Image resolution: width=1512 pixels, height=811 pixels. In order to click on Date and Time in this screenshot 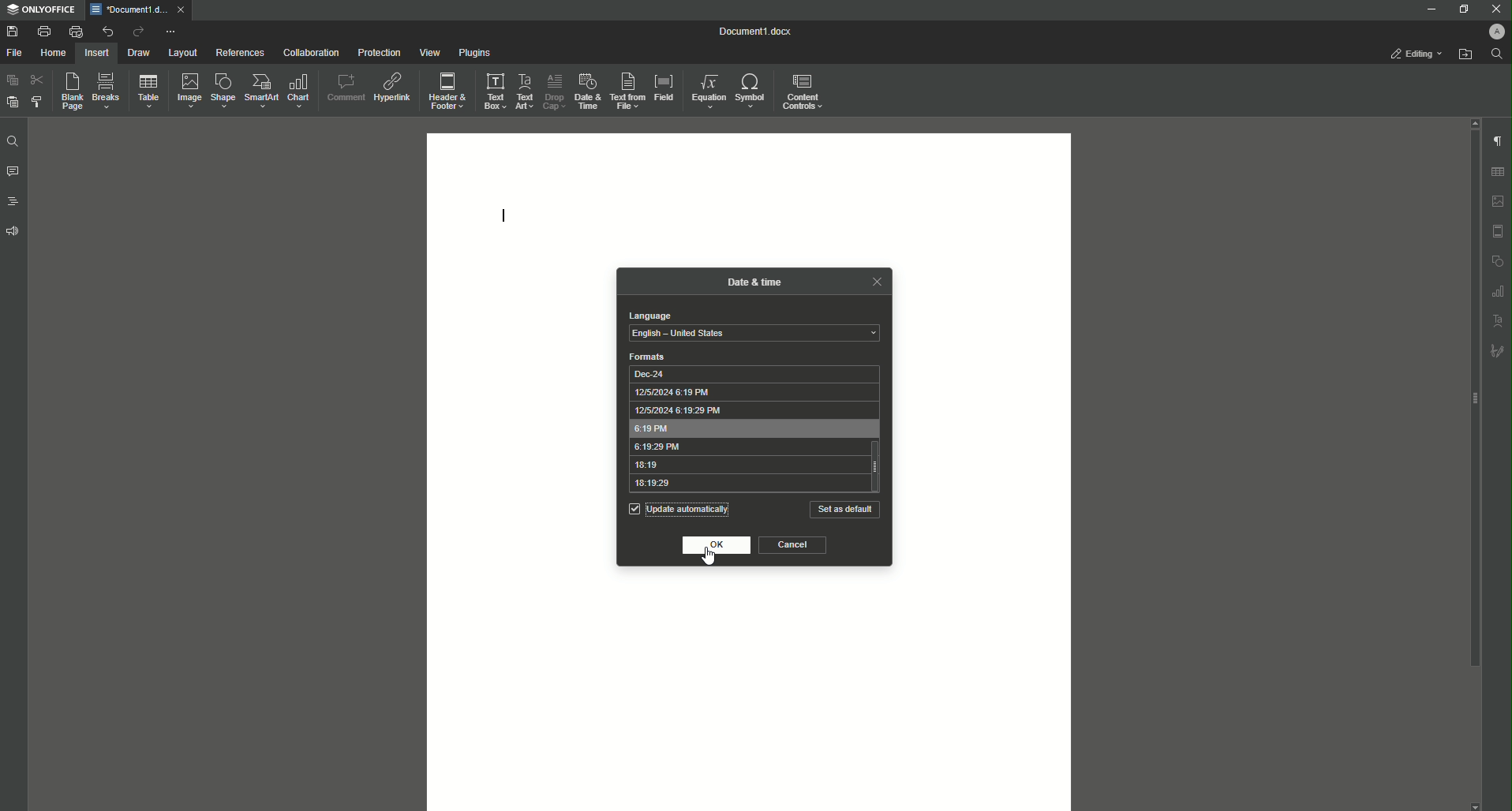, I will do `click(586, 90)`.